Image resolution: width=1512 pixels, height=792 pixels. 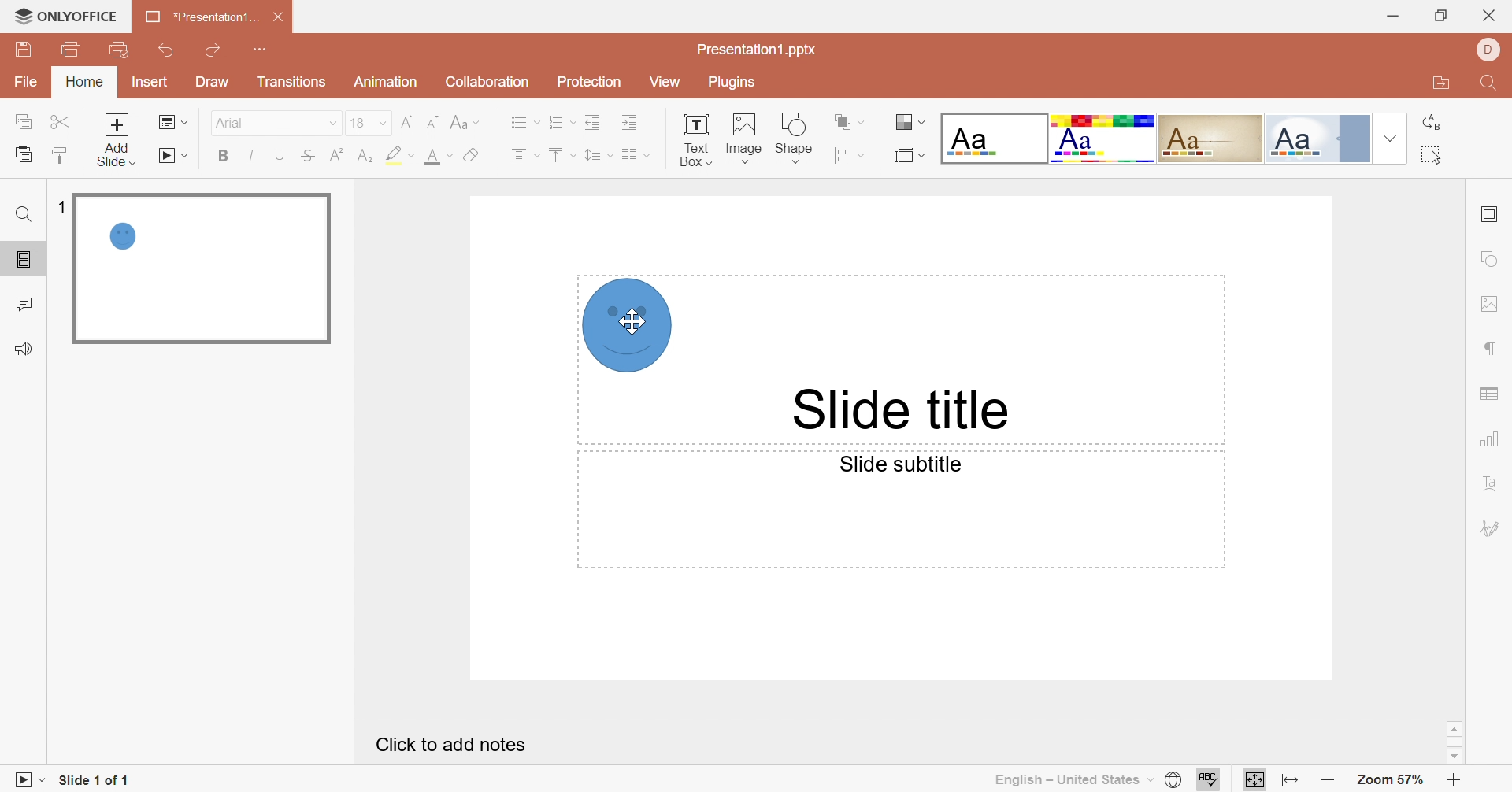 I want to click on font size 18, so click(x=358, y=125).